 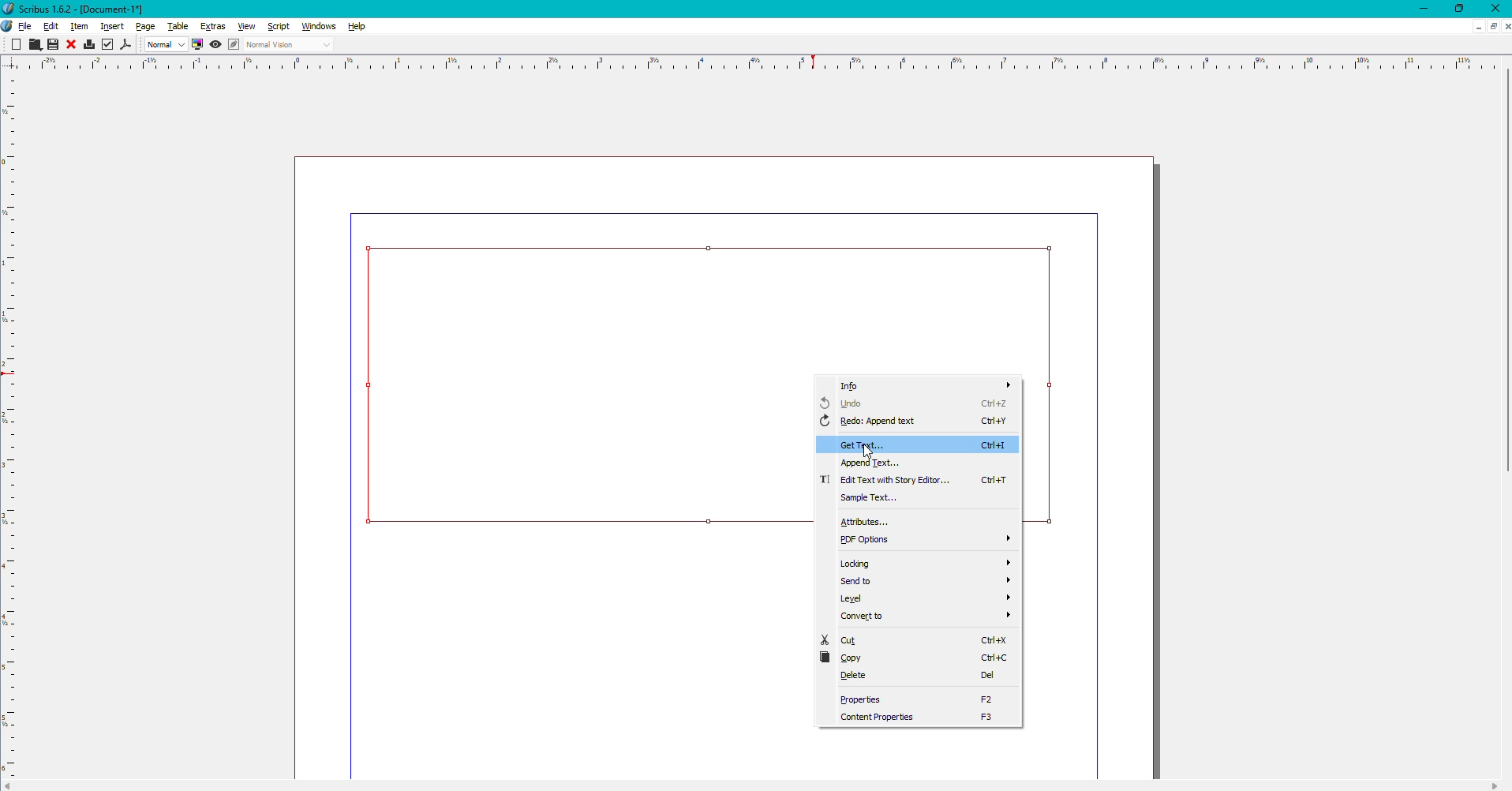 What do you see at coordinates (925, 541) in the screenshot?
I see `PDF Options` at bounding box center [925, 541].